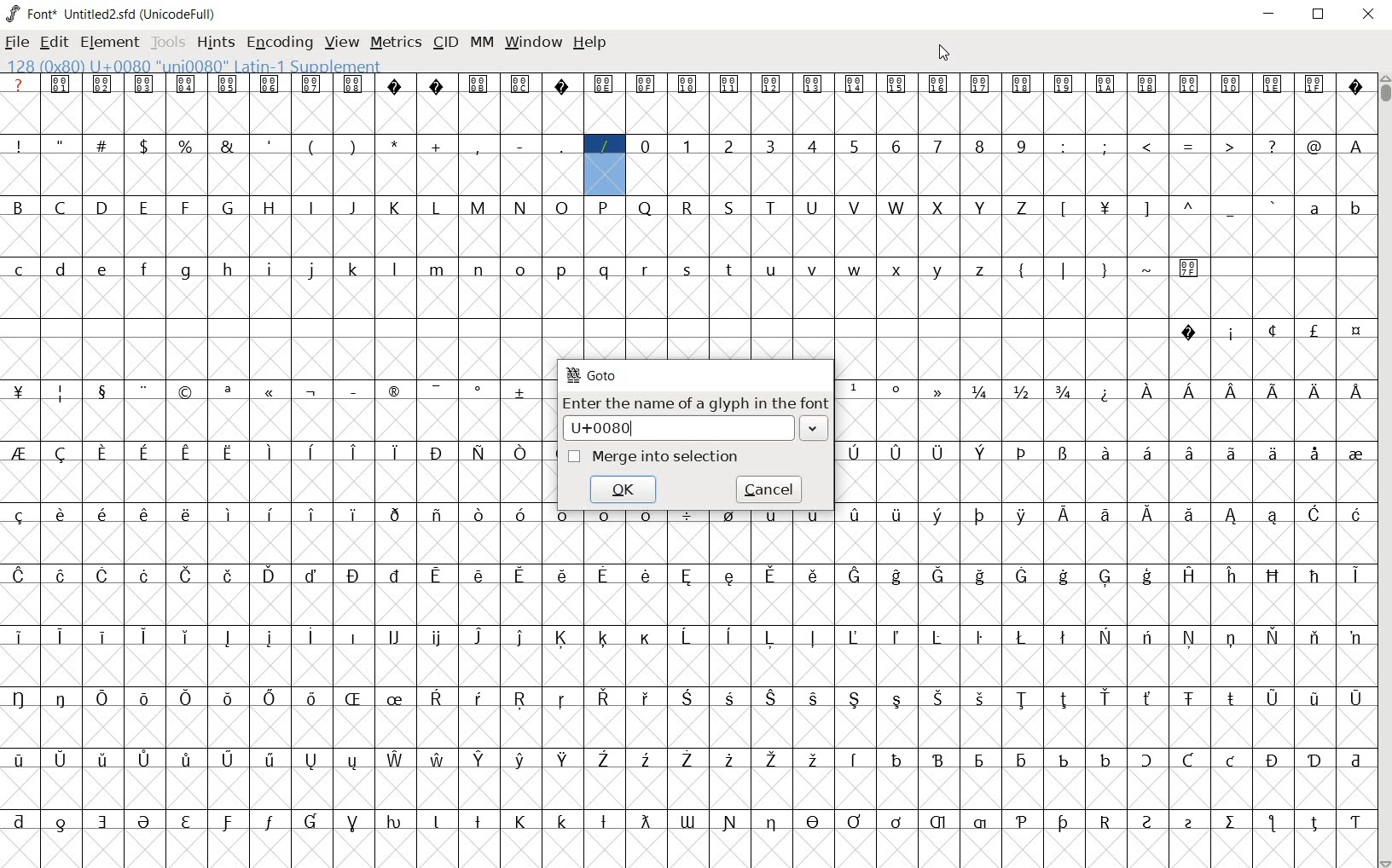 The width and height of the screenshot is (1392, 868). Describe the element at coordinates (1314, 761) in the screenshot. I see `glyph` at that location.